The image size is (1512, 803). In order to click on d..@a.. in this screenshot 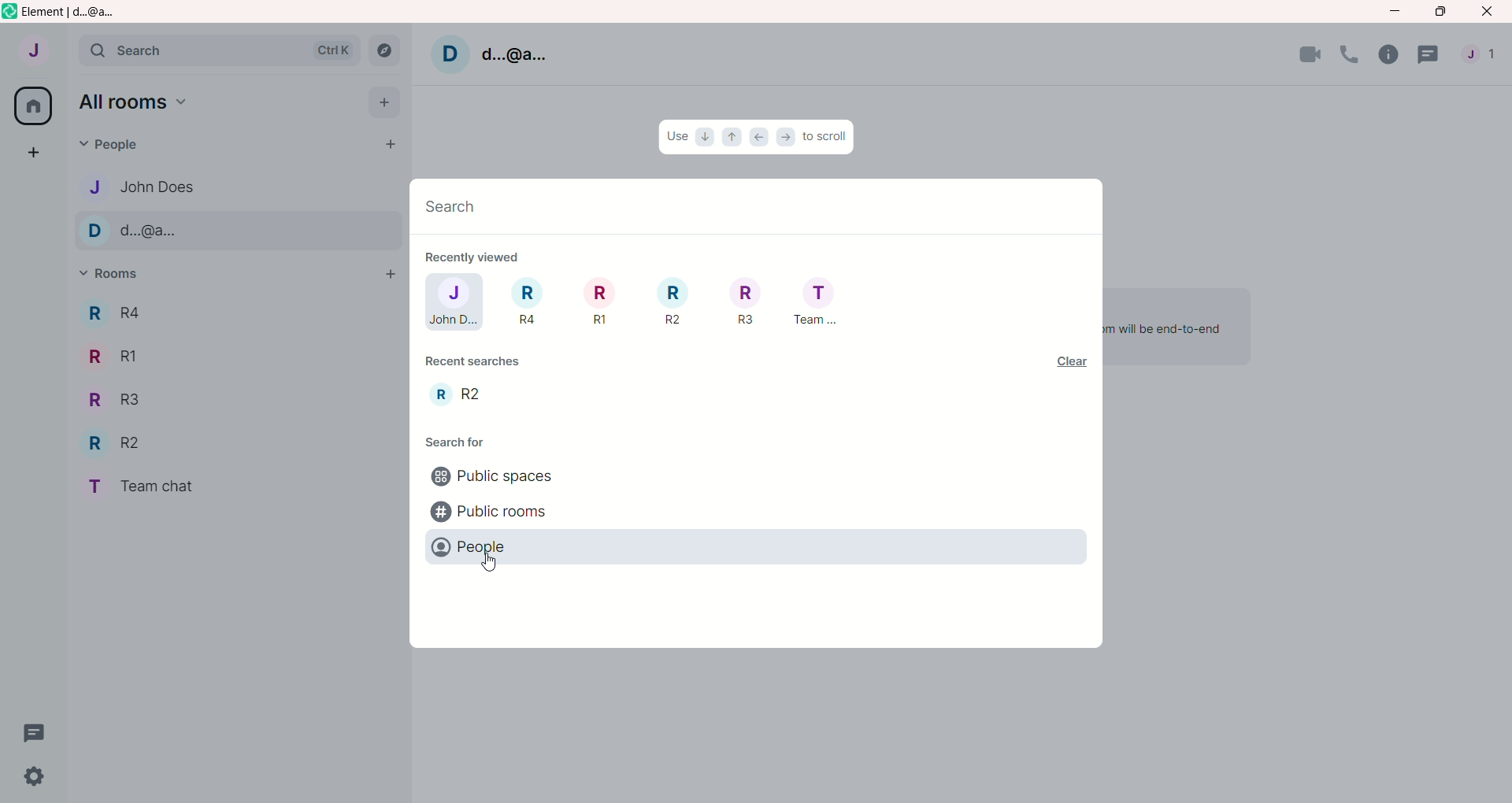, I will do `click(139, 231)`.